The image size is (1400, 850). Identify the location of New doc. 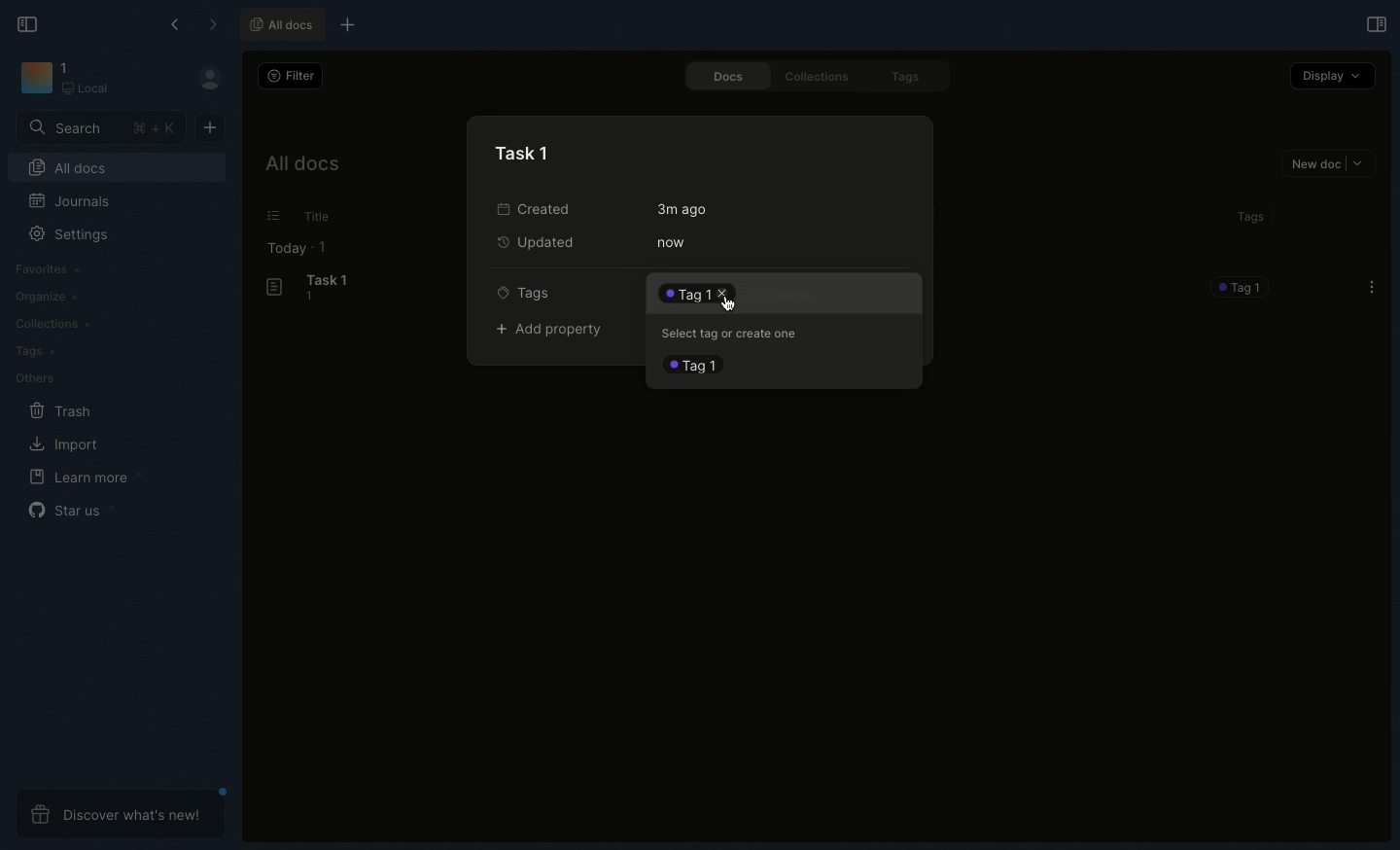
(1331, 165).